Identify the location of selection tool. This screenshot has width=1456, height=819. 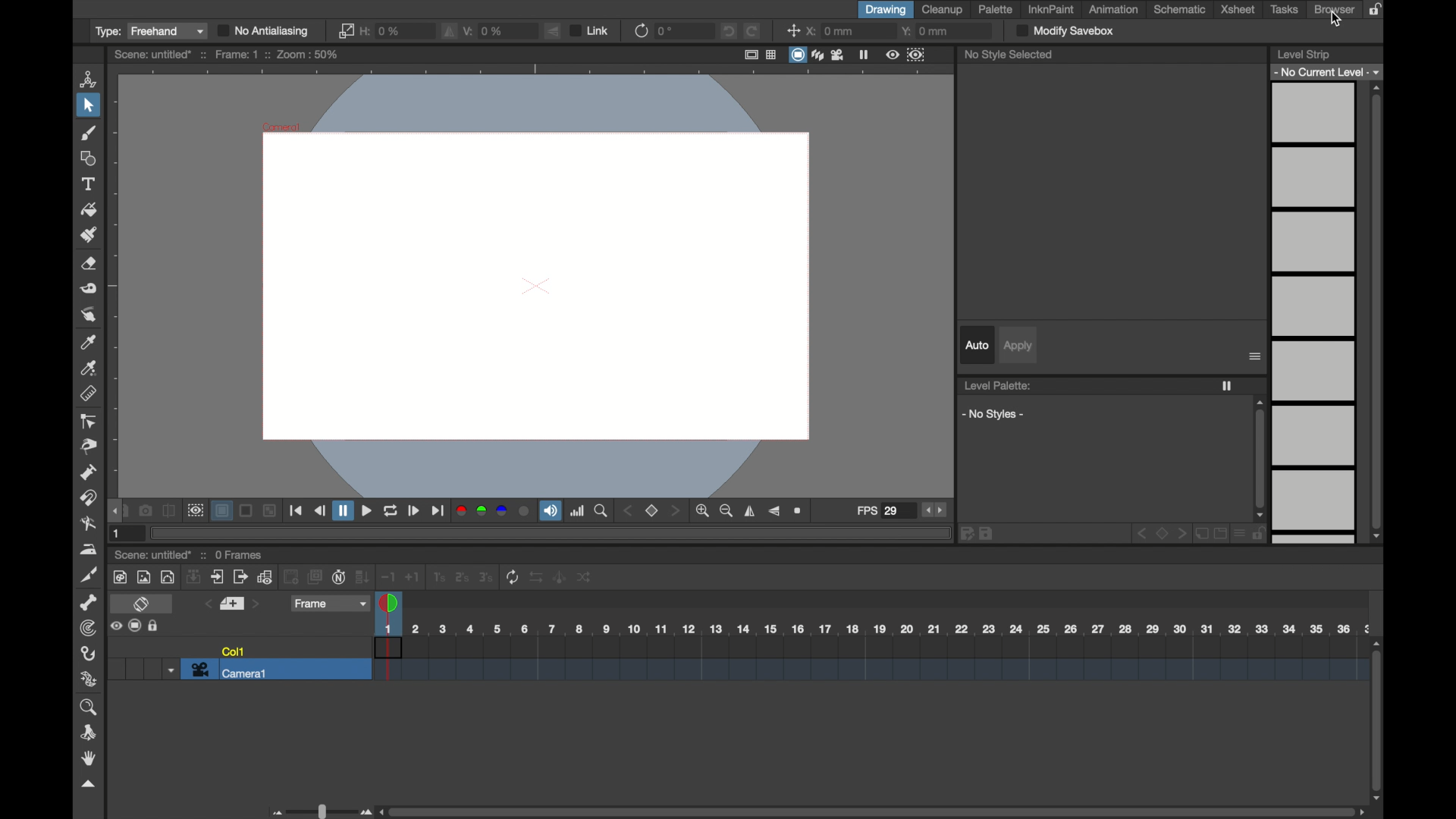
(87, 105).